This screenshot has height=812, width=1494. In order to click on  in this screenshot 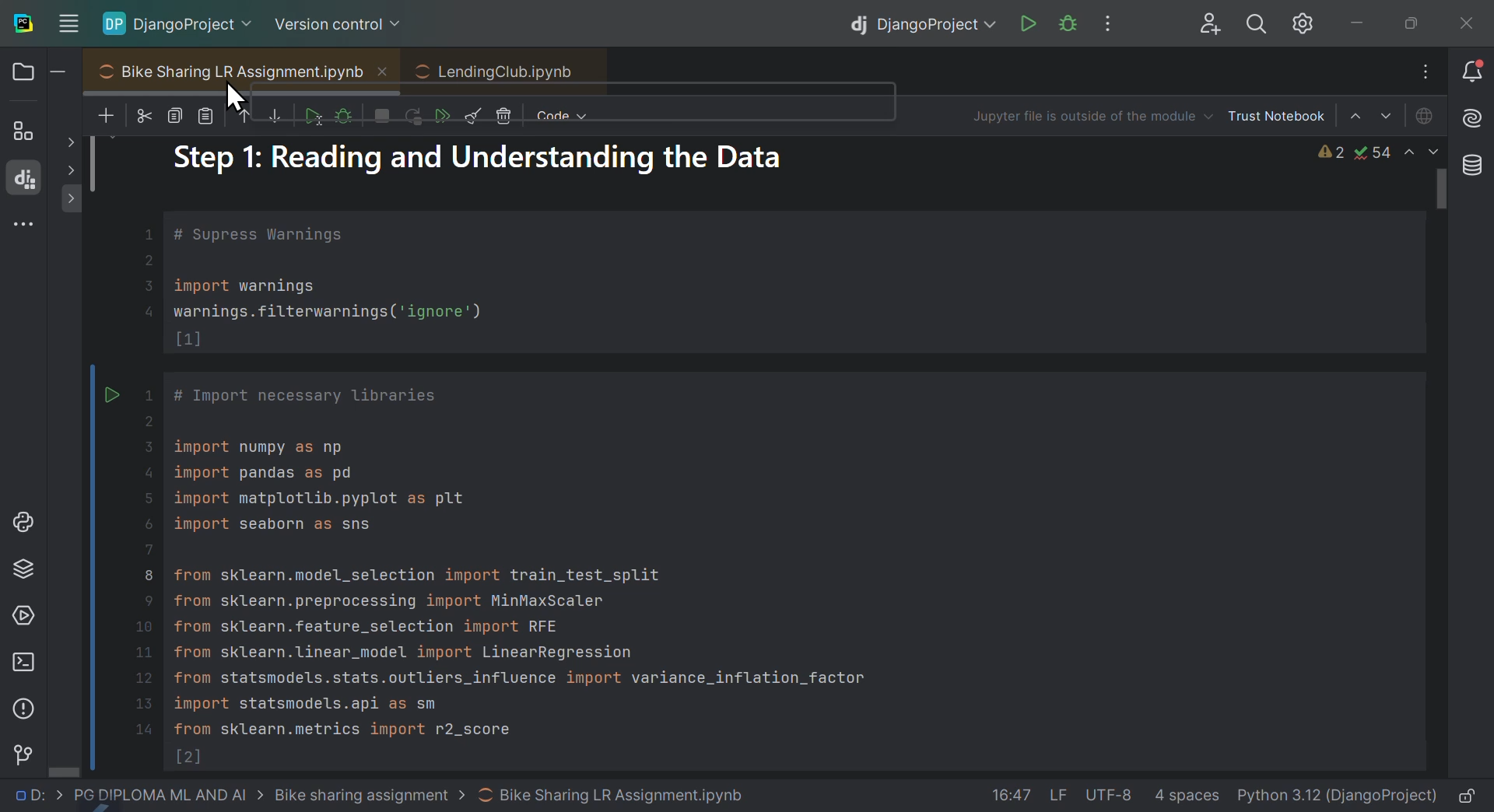, I will do `click(1422, 71)`.